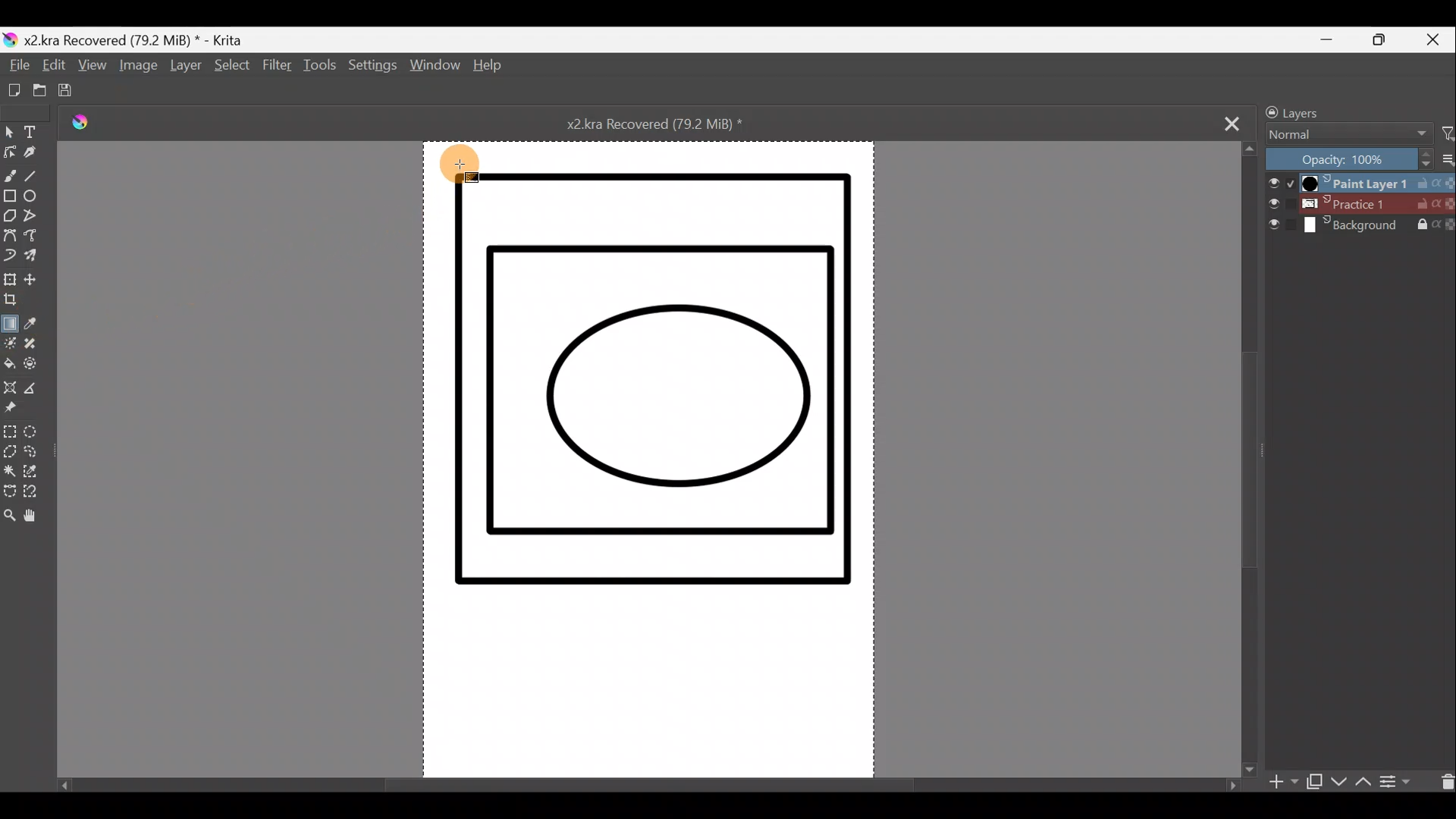 Image resolution: width=1456 pixels, height=819 pixels. I want to click on Transform a layer/selection, so click(11, 281).